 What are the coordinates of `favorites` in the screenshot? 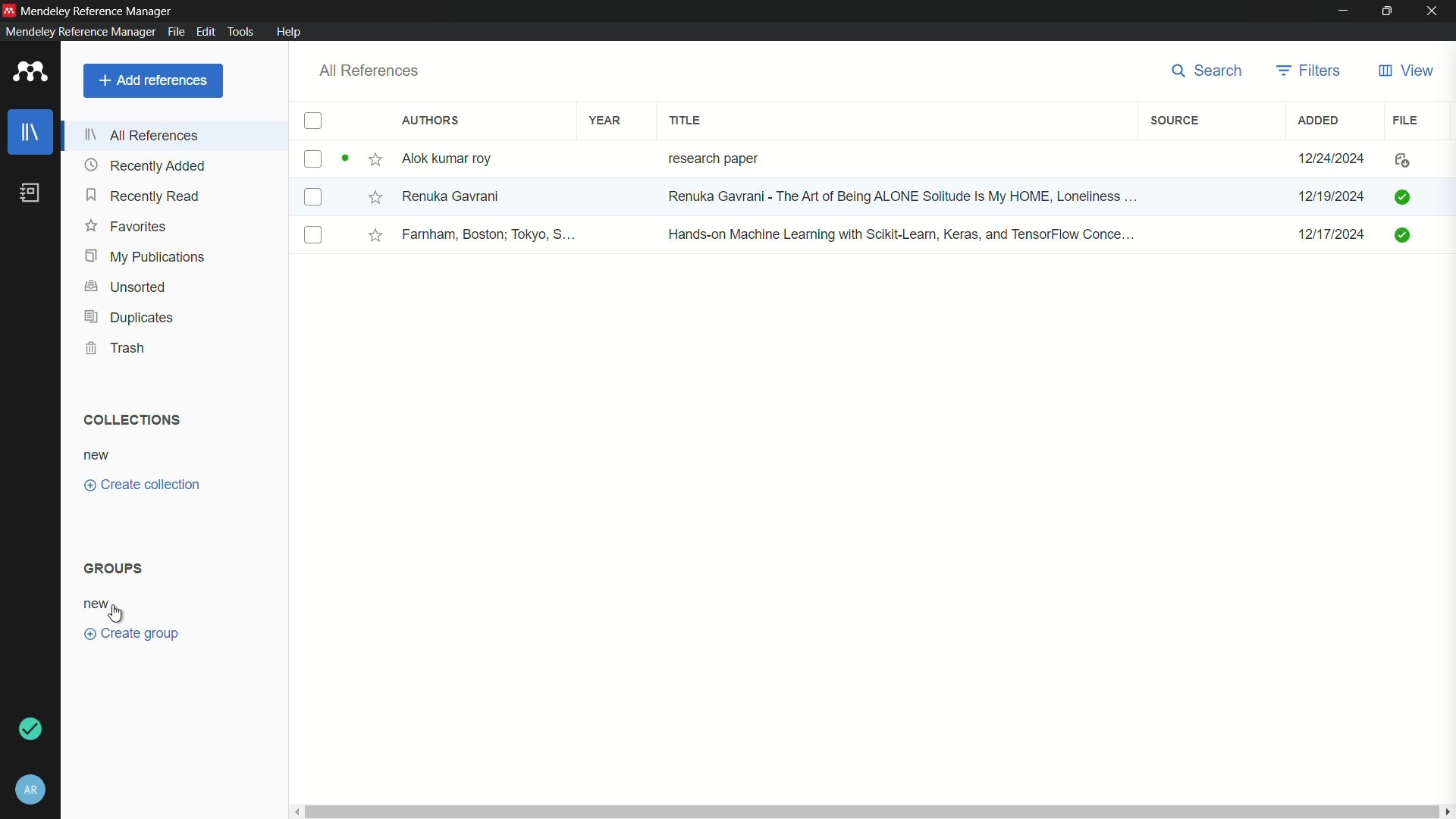 It's located at (127, 227).